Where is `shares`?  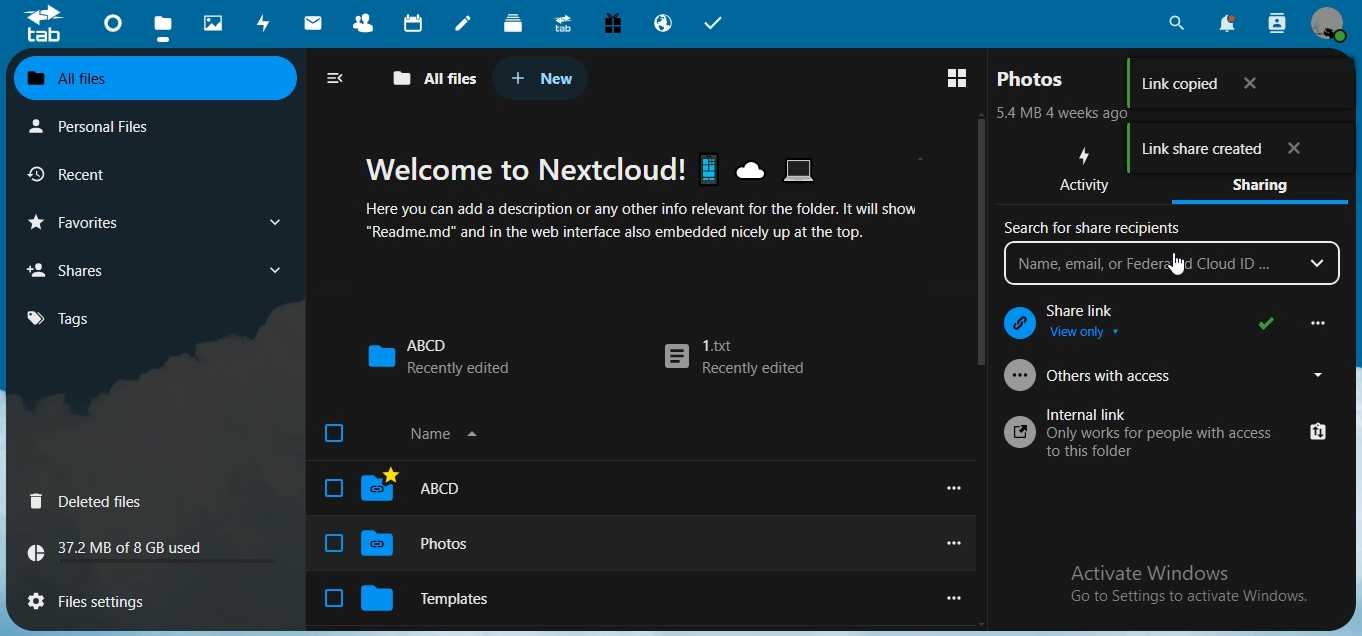
shares is located at coordinates (153, 269).